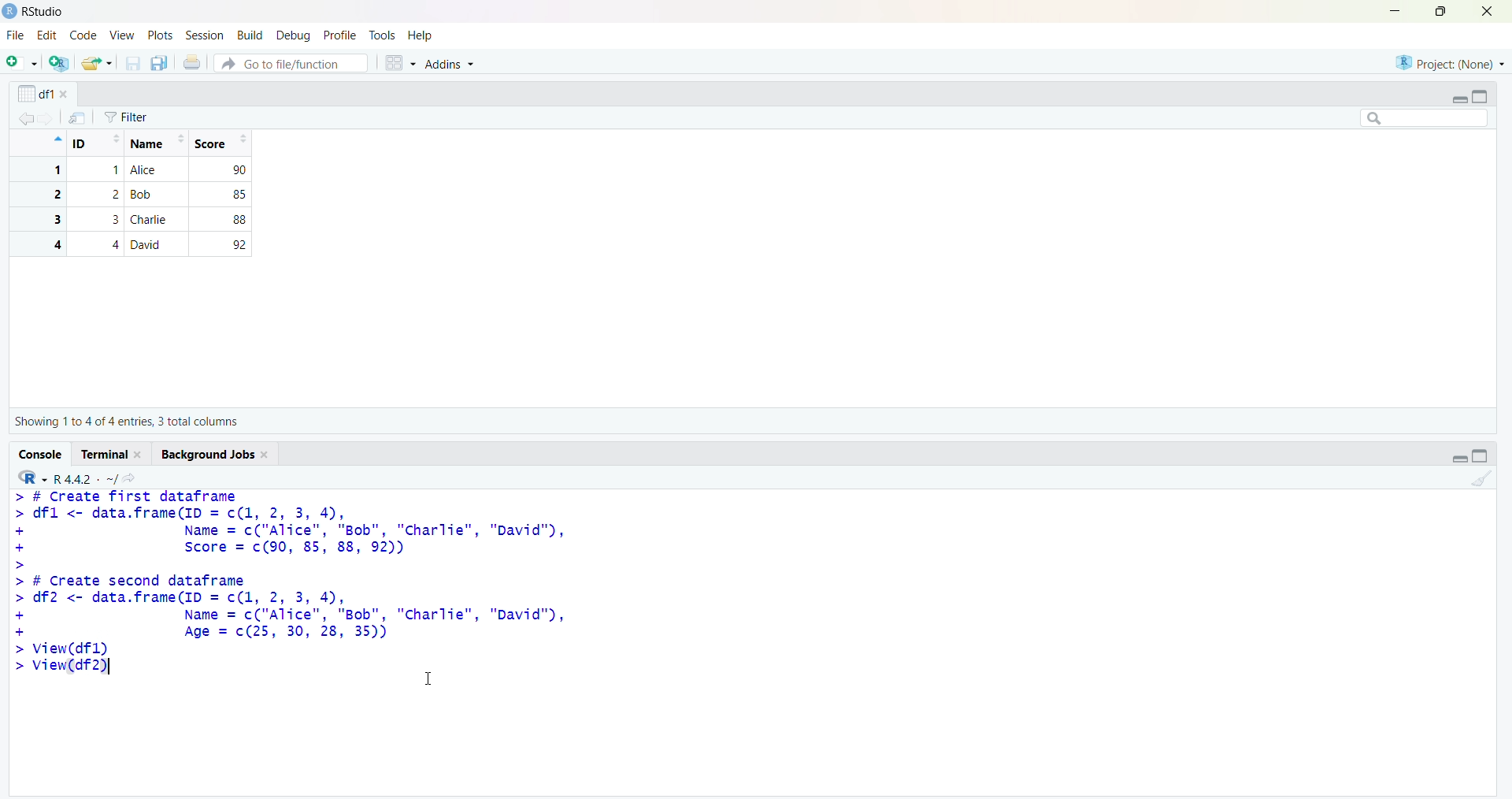 This screenshot has width=1512, height=799. What do you see at coordinates (208, 455) in the screenshot?
I see `Background jobs` at bounding box center [208, 455].